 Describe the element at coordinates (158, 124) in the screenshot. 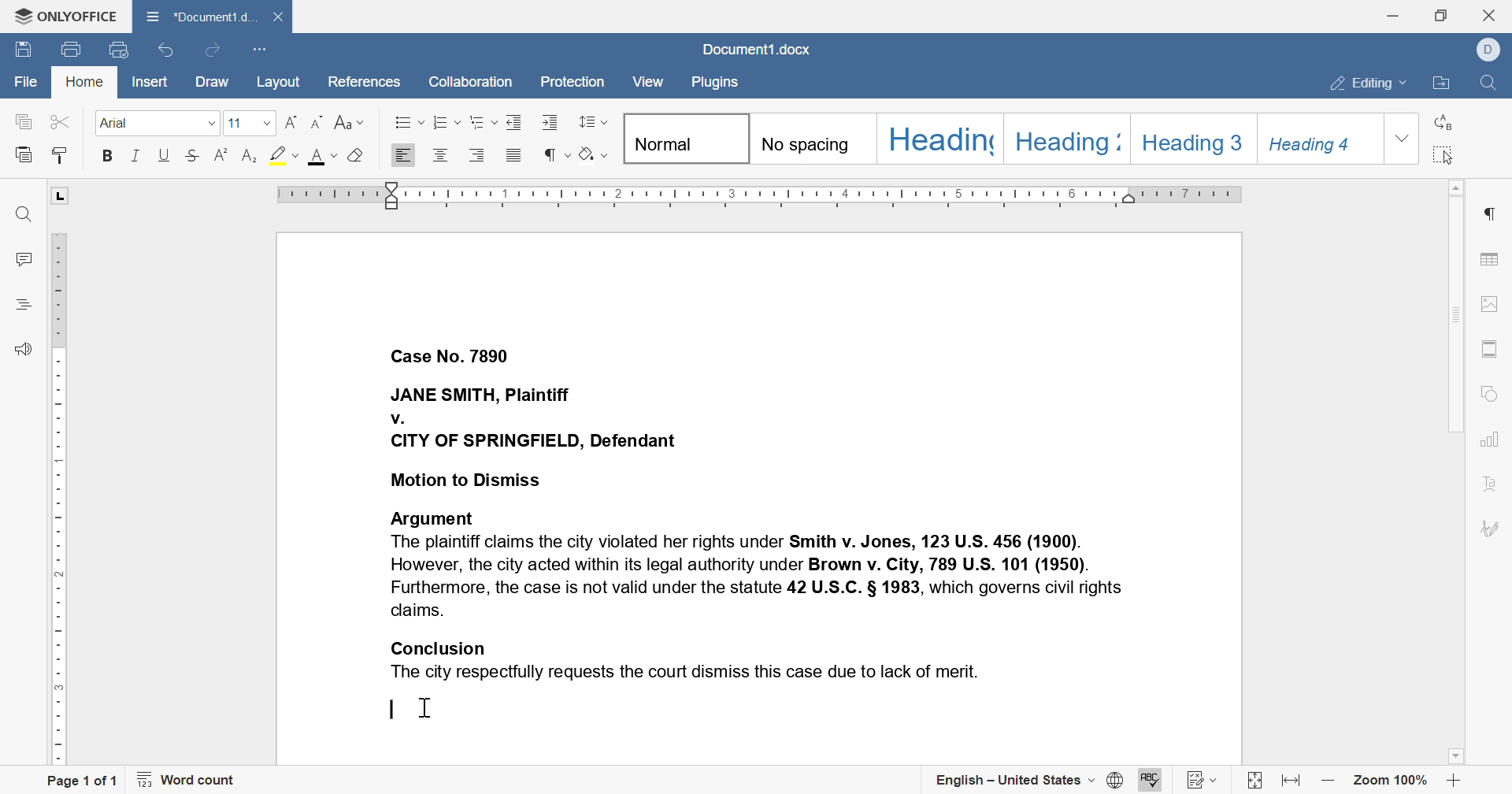

I see `font` at that location.